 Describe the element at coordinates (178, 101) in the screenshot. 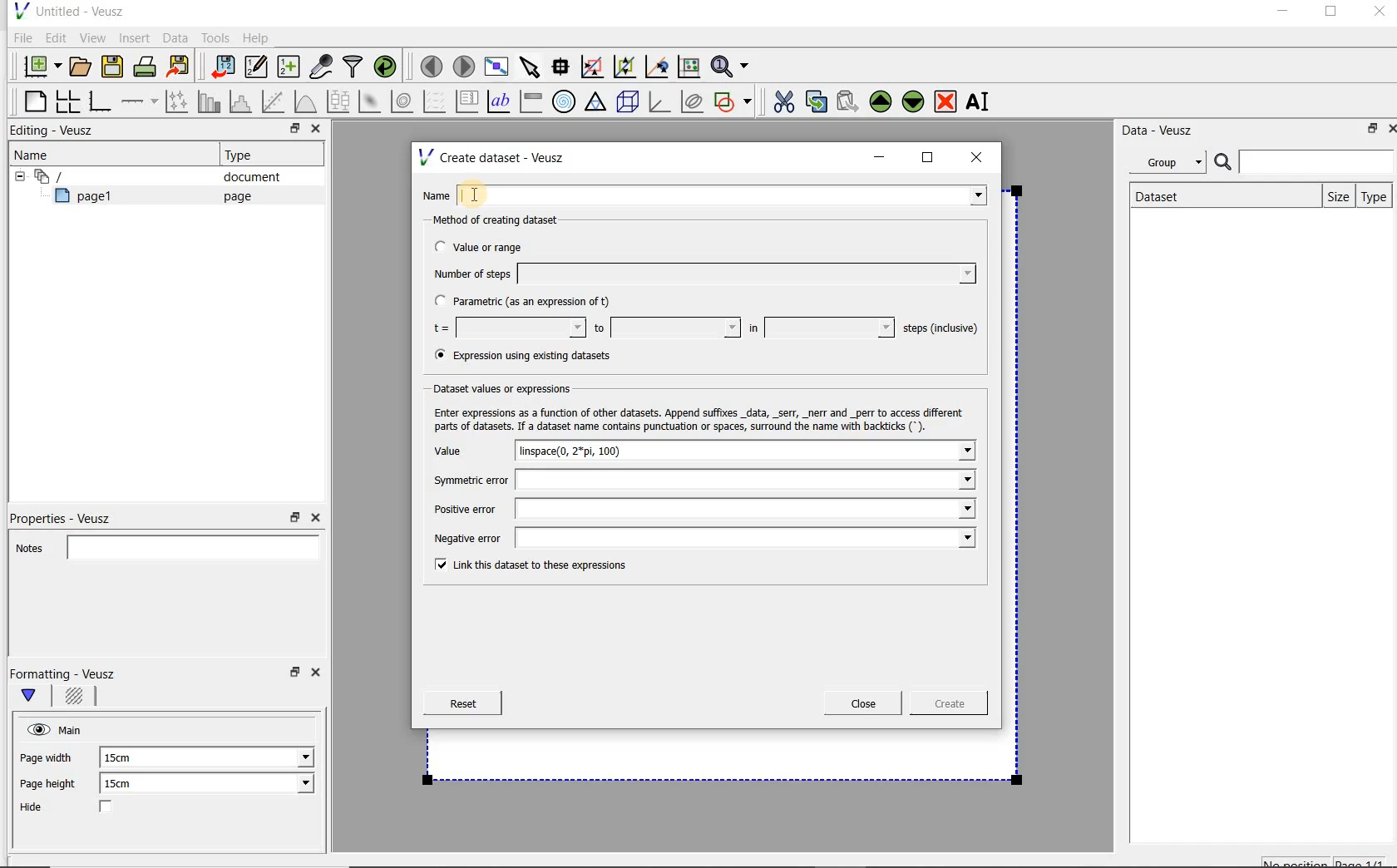

I see `Plot points with lines and error bars` at that location.